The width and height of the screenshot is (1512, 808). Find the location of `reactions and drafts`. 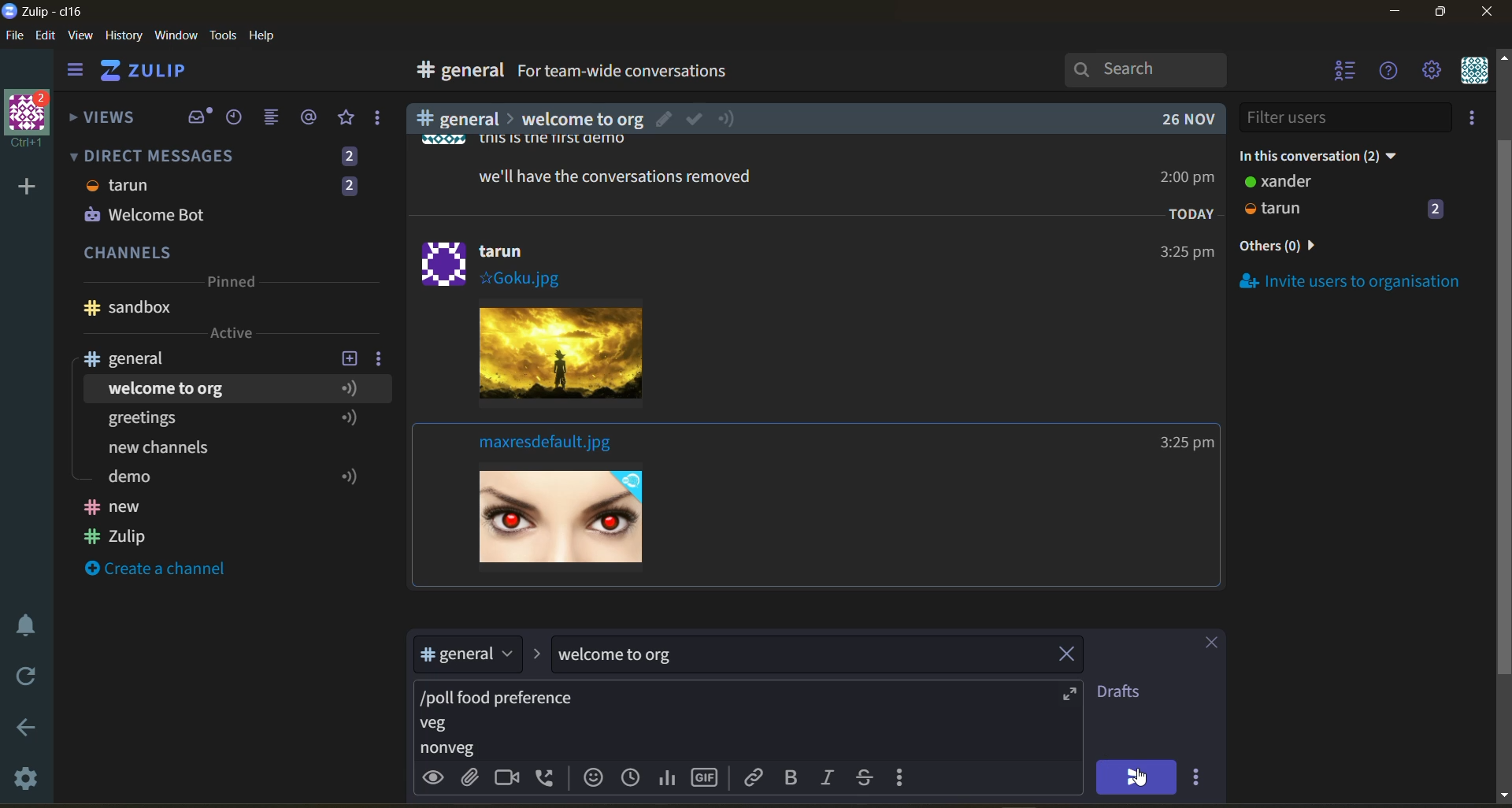

reactions and drafts is located at coordinates (384, 121).